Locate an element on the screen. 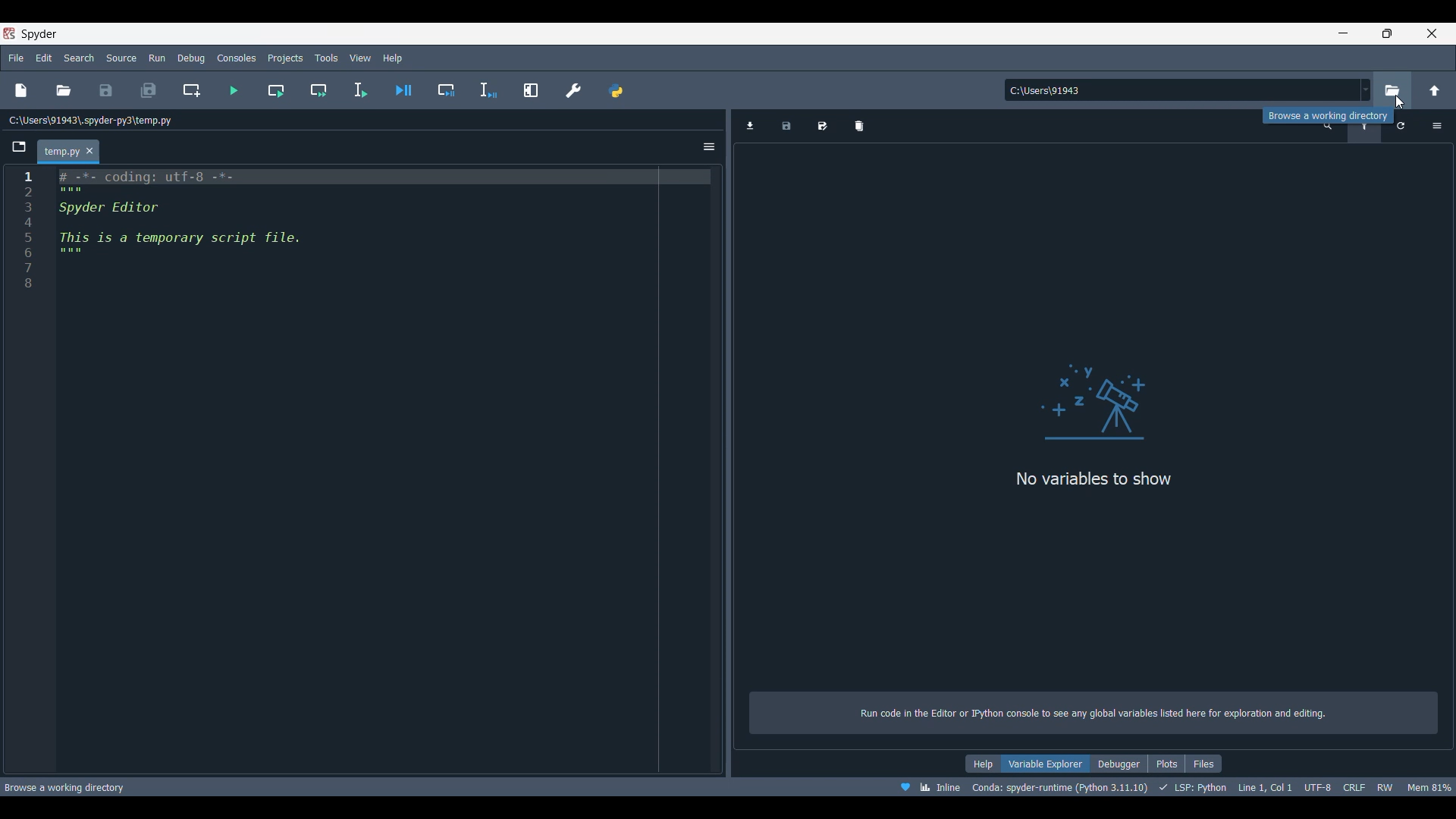 The height and width of the screenshot is (819, 1456). Save data is located at coordinates (787, 126).